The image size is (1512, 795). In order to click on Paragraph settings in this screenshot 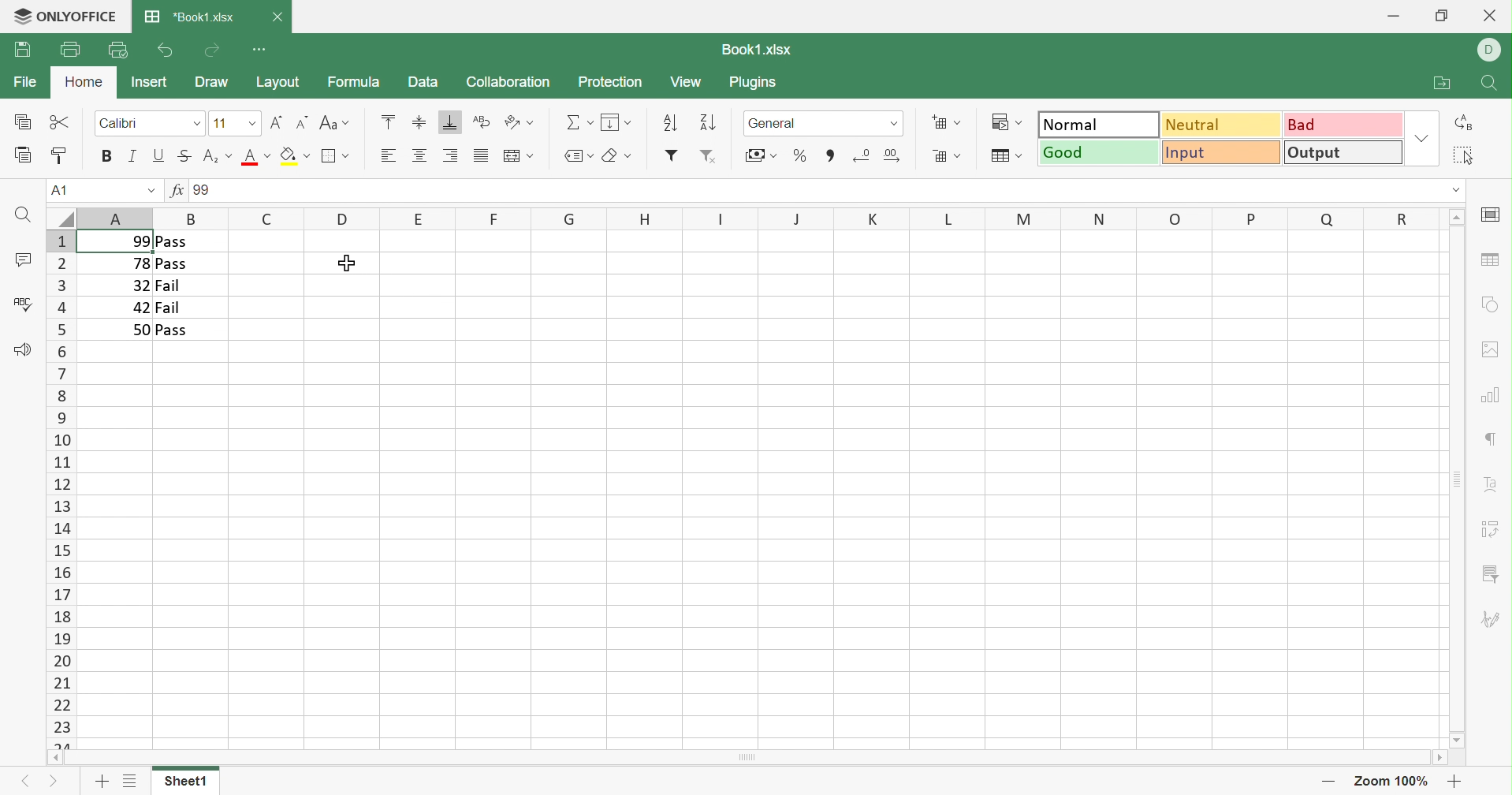, I will do `click(1495, 438)`.